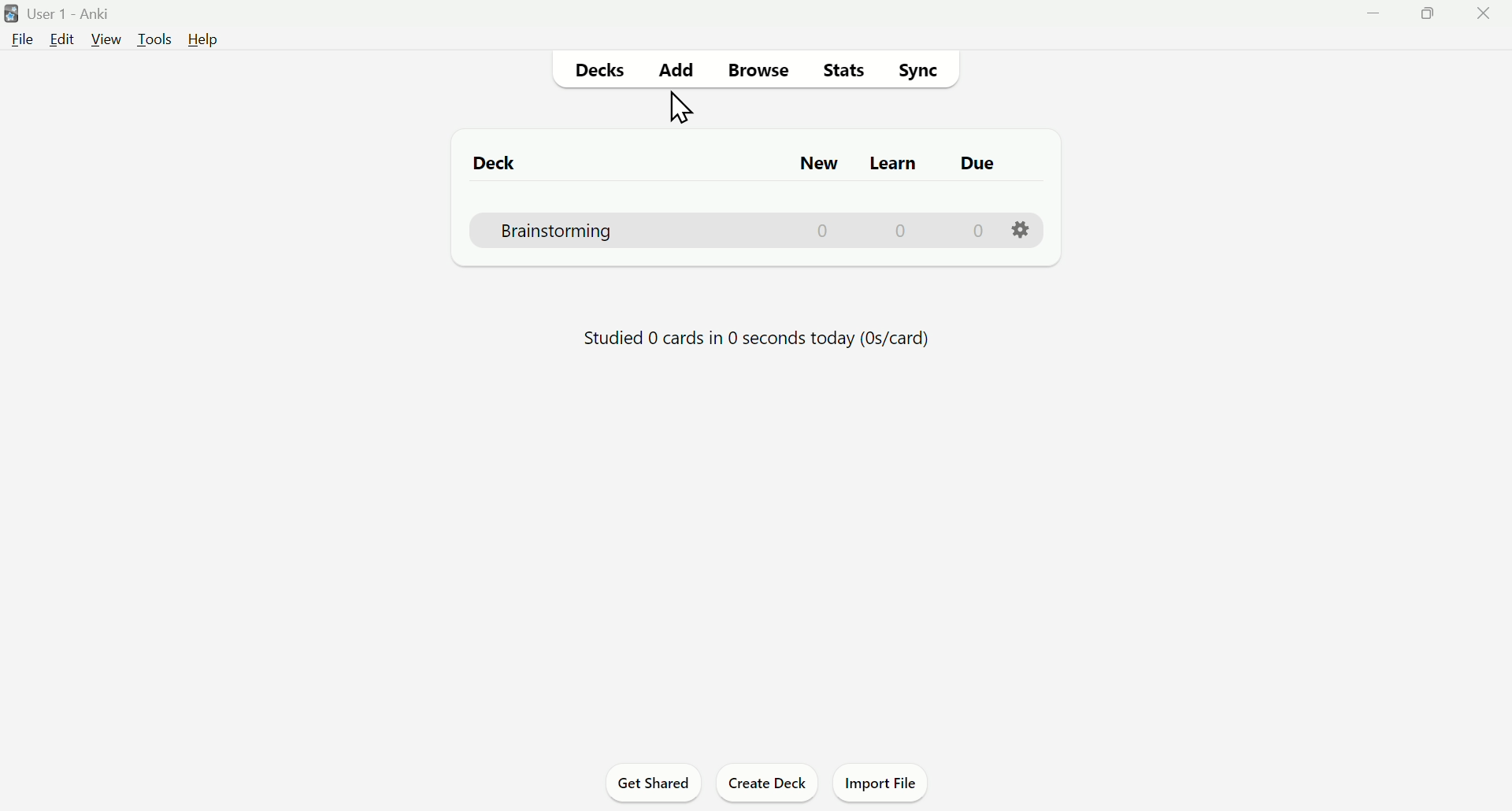 The image size is (1512, 811). I want to click on Decks, so click(596, 69).